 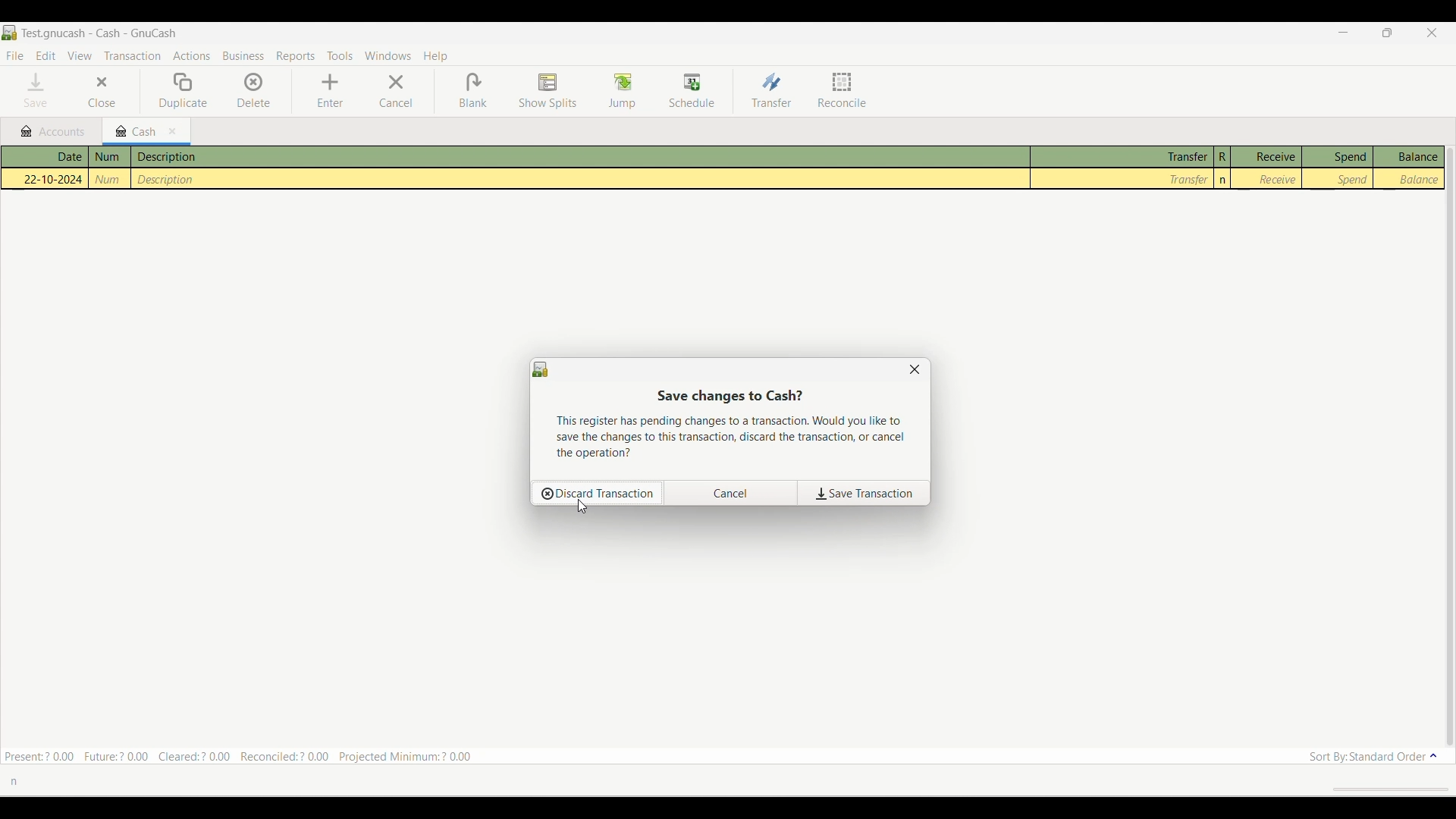 What do you see at coordinates (1386, 33) in the screenshot?
I see `Show interface in a smaller tab` at bounding box center [1386, 33].